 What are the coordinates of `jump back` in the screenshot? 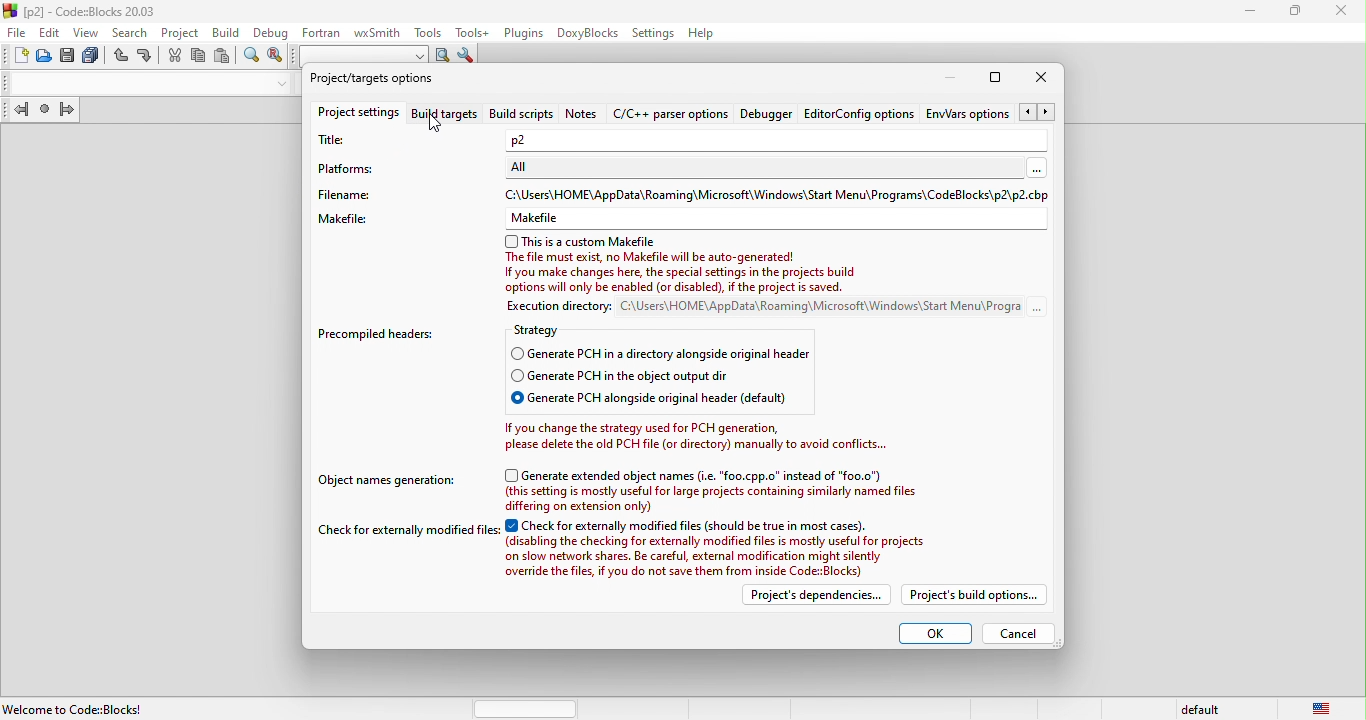 It's located at (16, 112).